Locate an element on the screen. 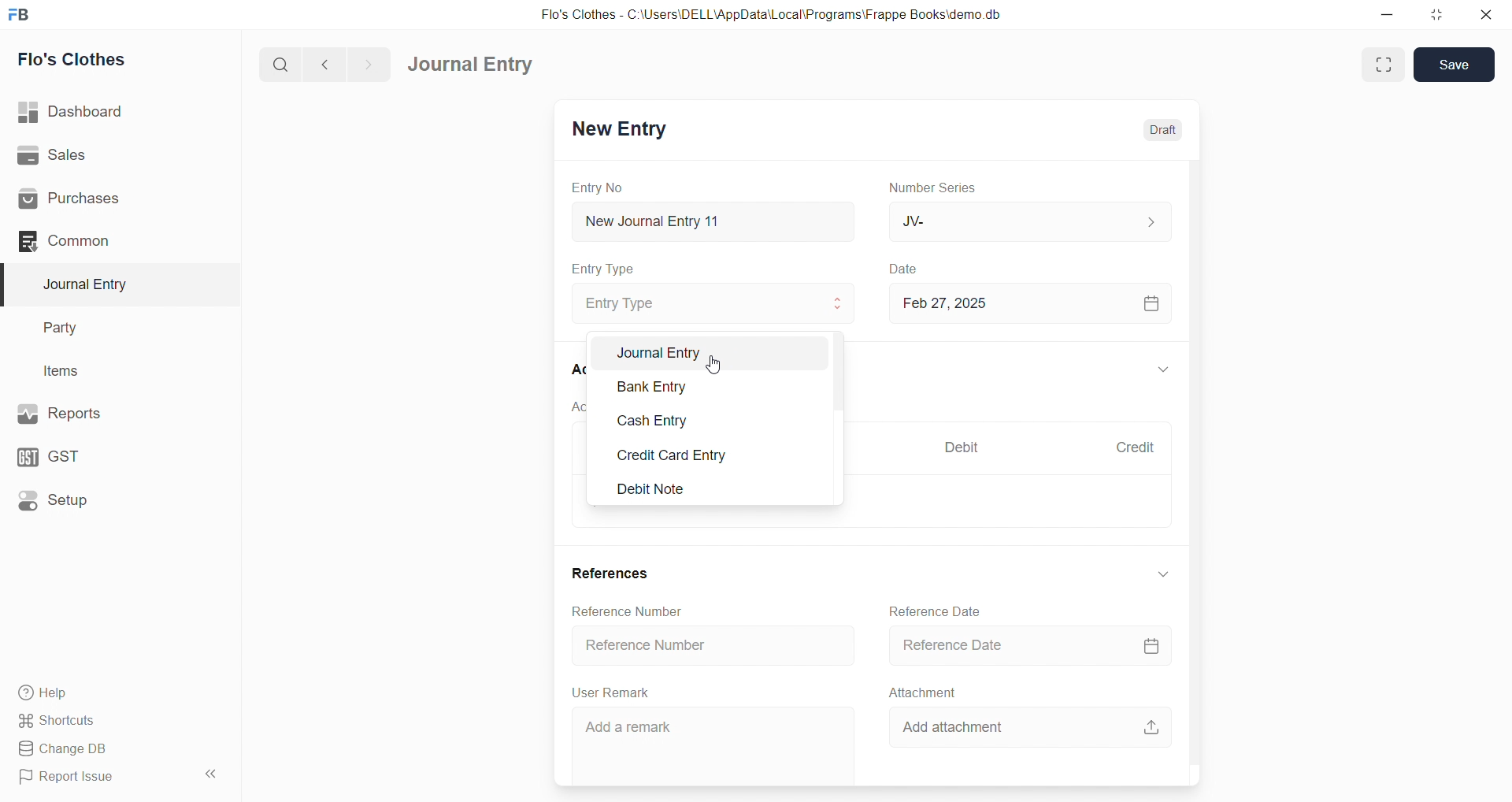 This screenshot has width=1512, height=802. navigate forward is located at coordinates (372, 64).